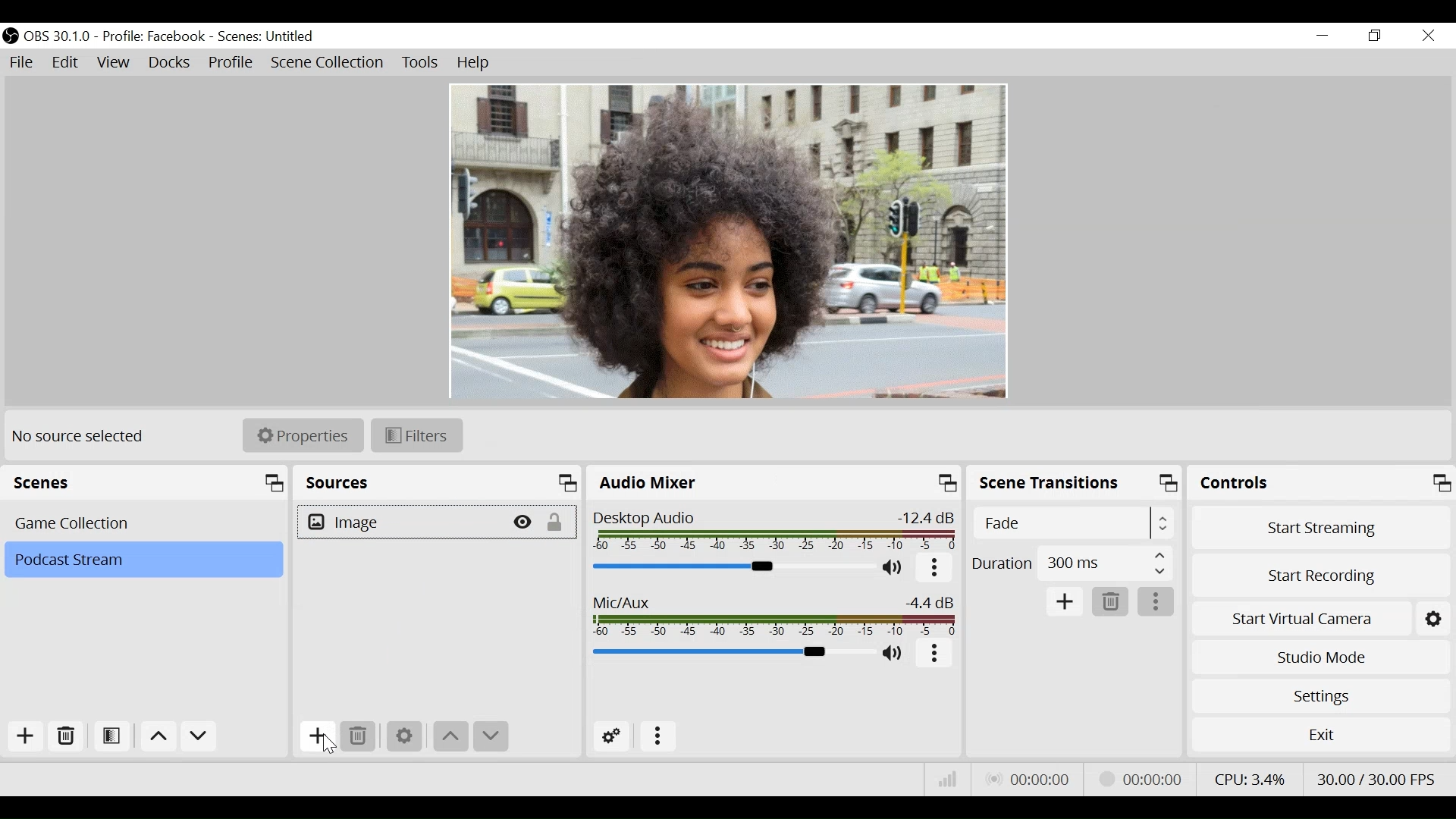 This screenshot has height=819, width=1456. Describe the element at coordinates (894, 567) in the screenshot. I see `(un)mute` at that location.